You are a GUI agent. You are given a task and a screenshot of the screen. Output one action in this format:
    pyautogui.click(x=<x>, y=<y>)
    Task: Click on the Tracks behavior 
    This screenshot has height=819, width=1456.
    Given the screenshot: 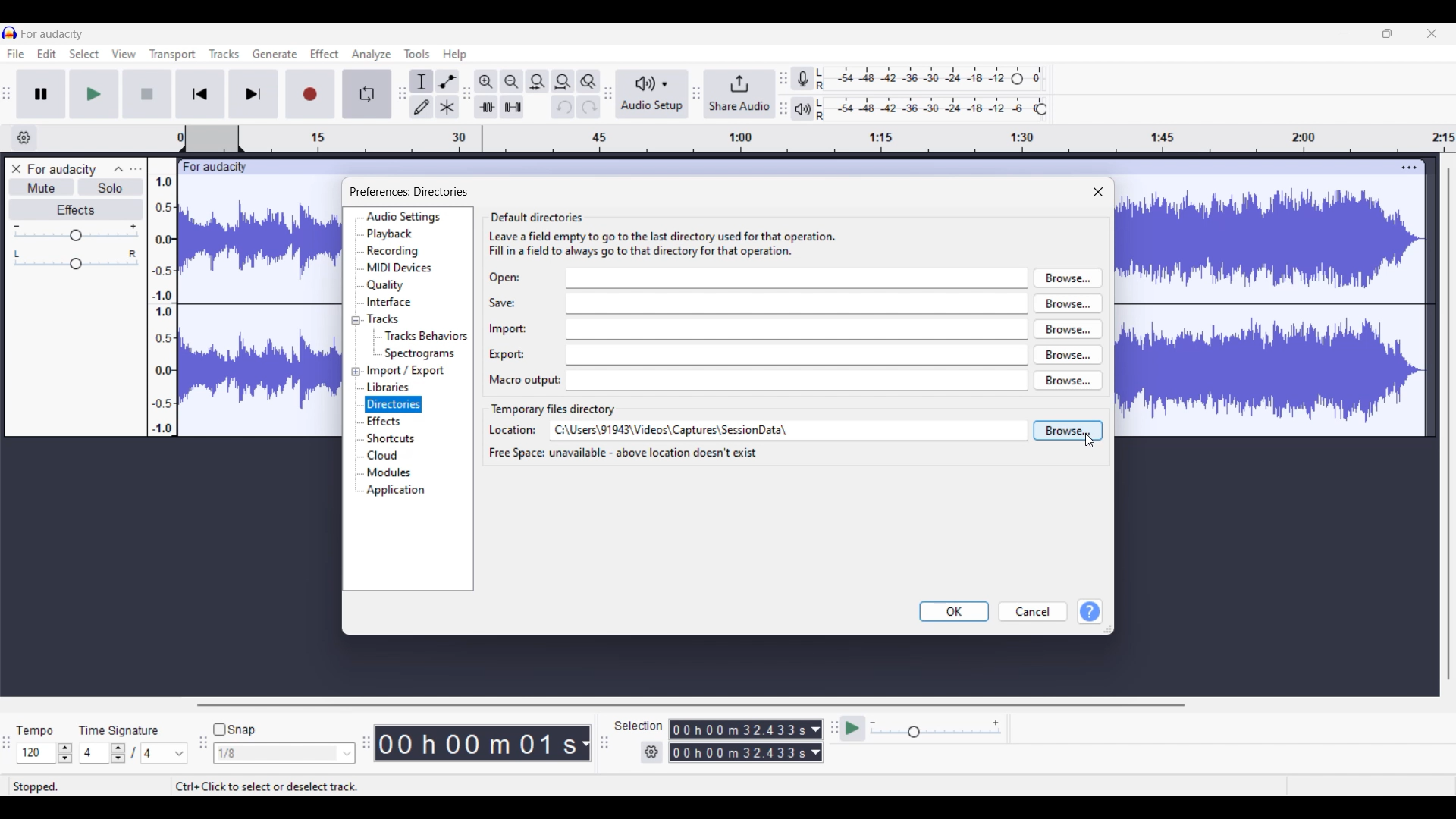 What is the action you would take?
    pyautogui.click(x=427, y=336)
    